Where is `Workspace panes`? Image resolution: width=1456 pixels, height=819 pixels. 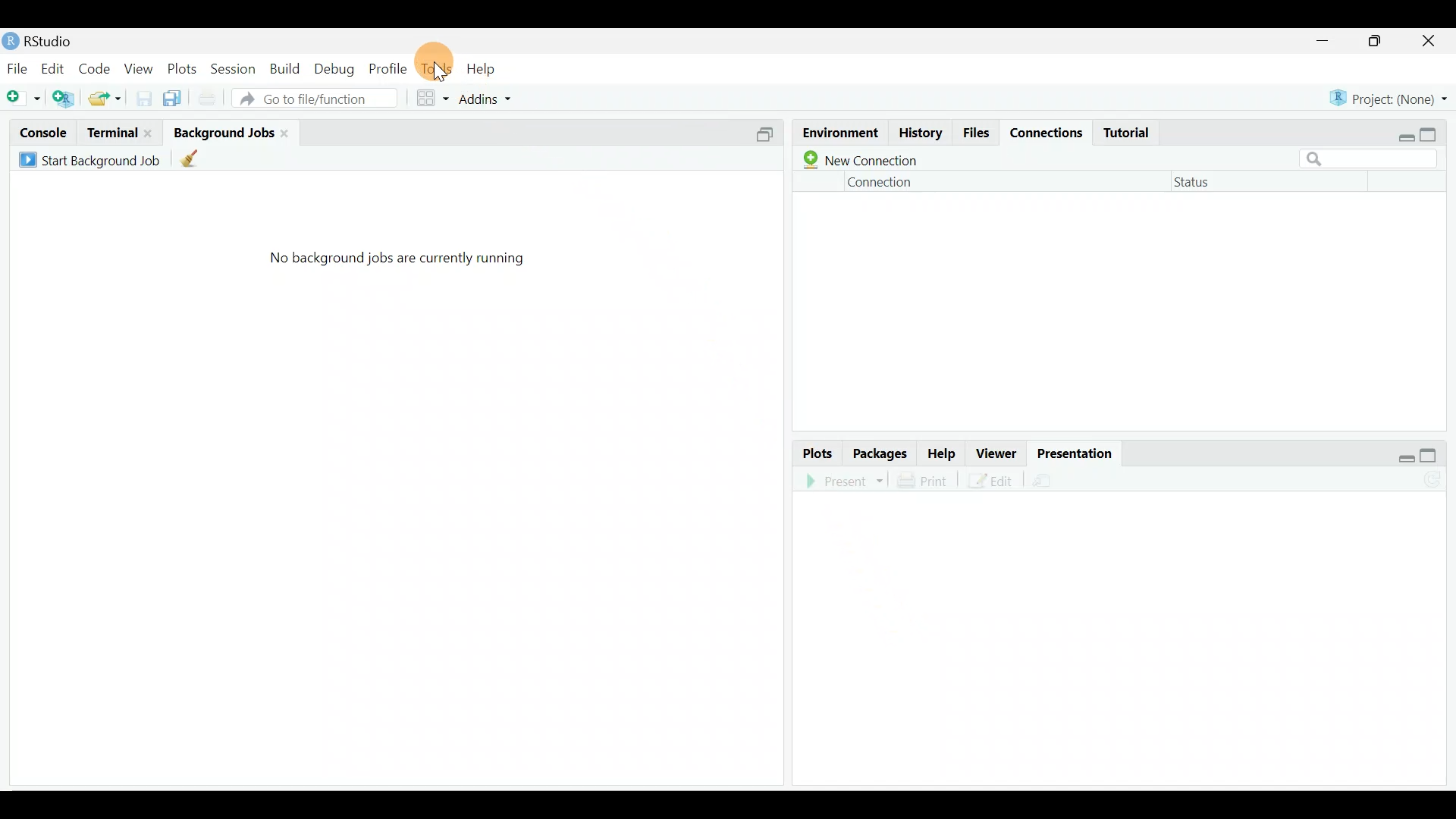 Workspace panes is located at coordinates (433, 99).